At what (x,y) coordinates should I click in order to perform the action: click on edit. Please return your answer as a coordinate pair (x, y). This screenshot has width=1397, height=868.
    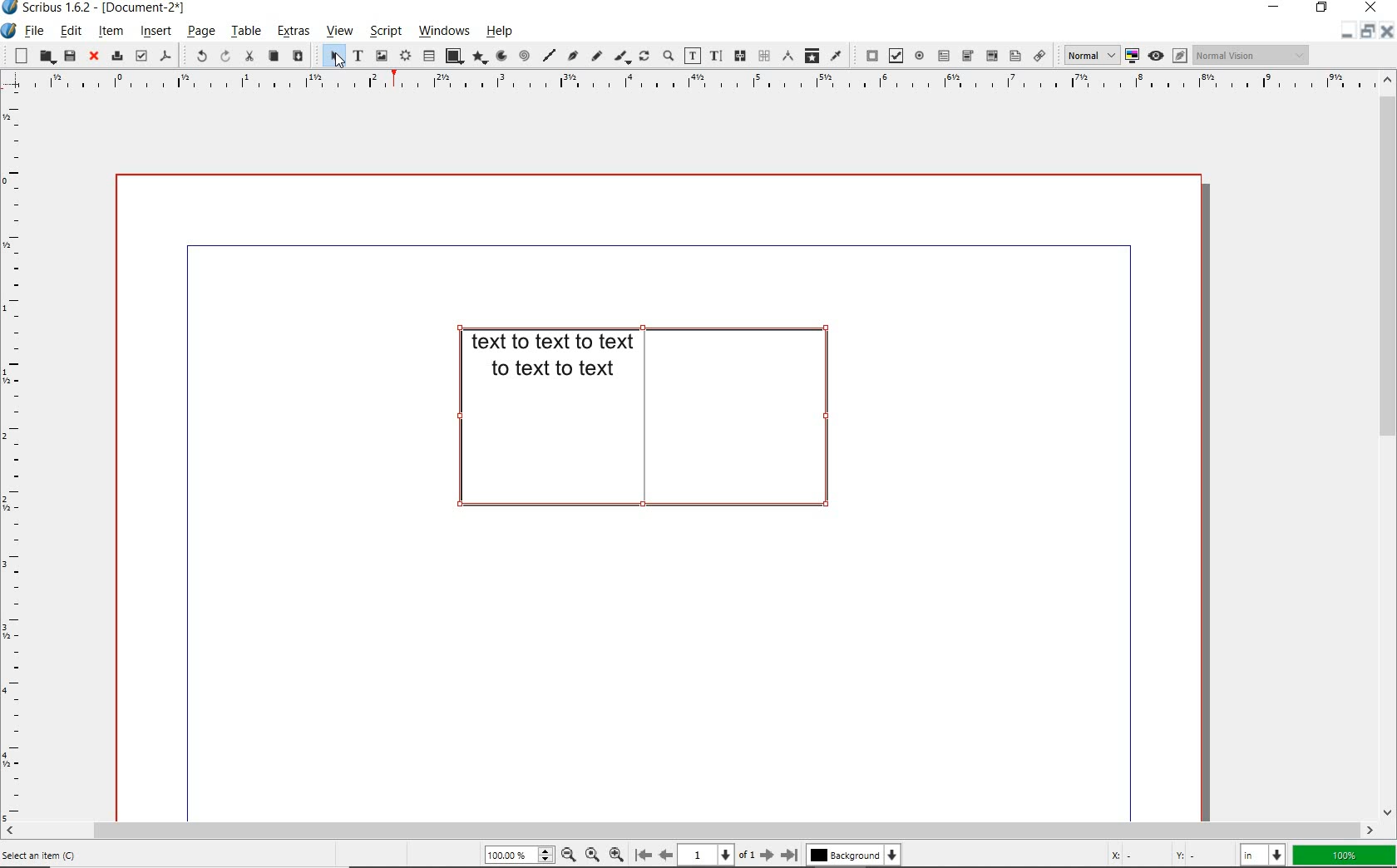
    Looking at the image, I should click on (71, 32).